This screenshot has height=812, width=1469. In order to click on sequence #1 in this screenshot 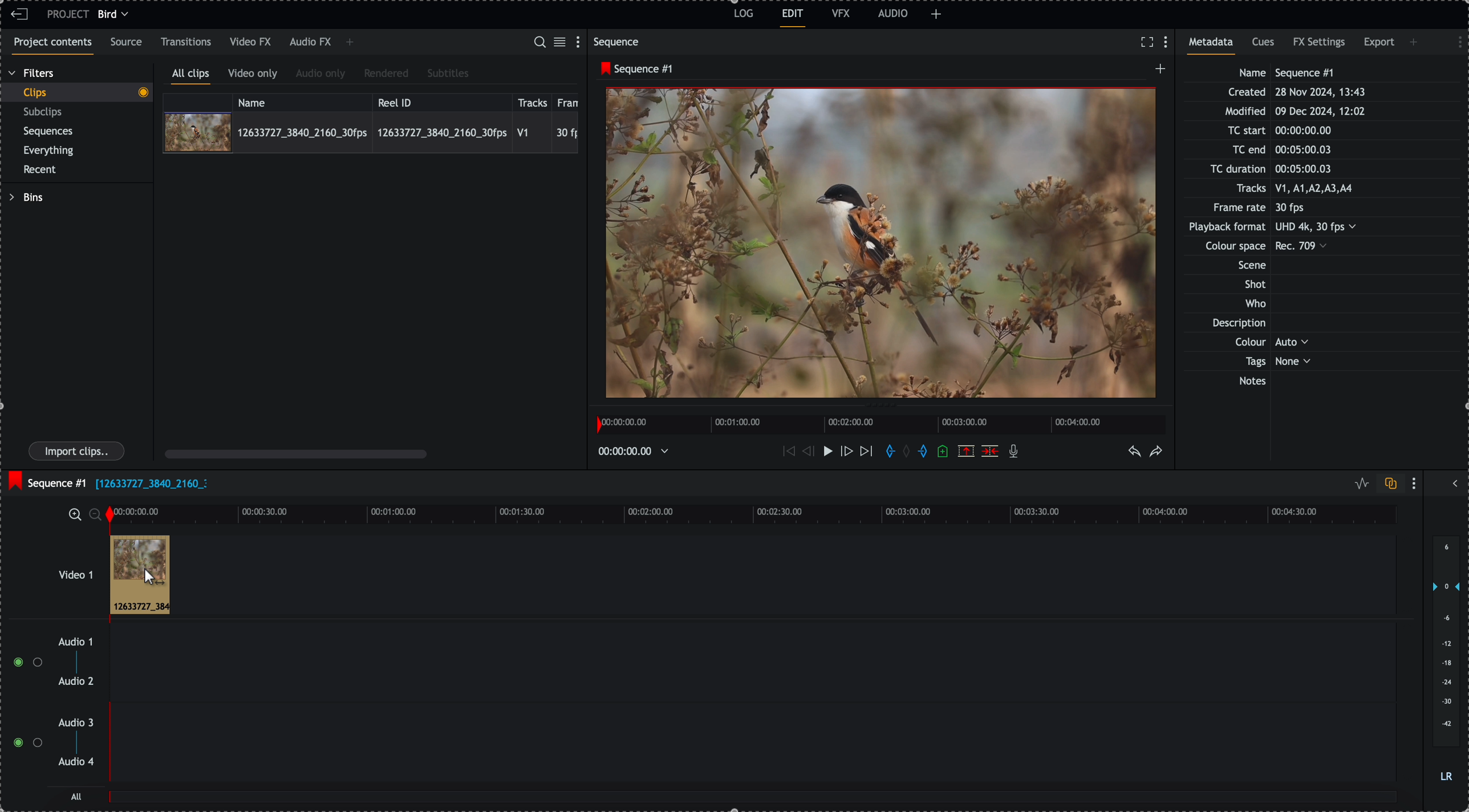, I will do `click(634, 69)`.